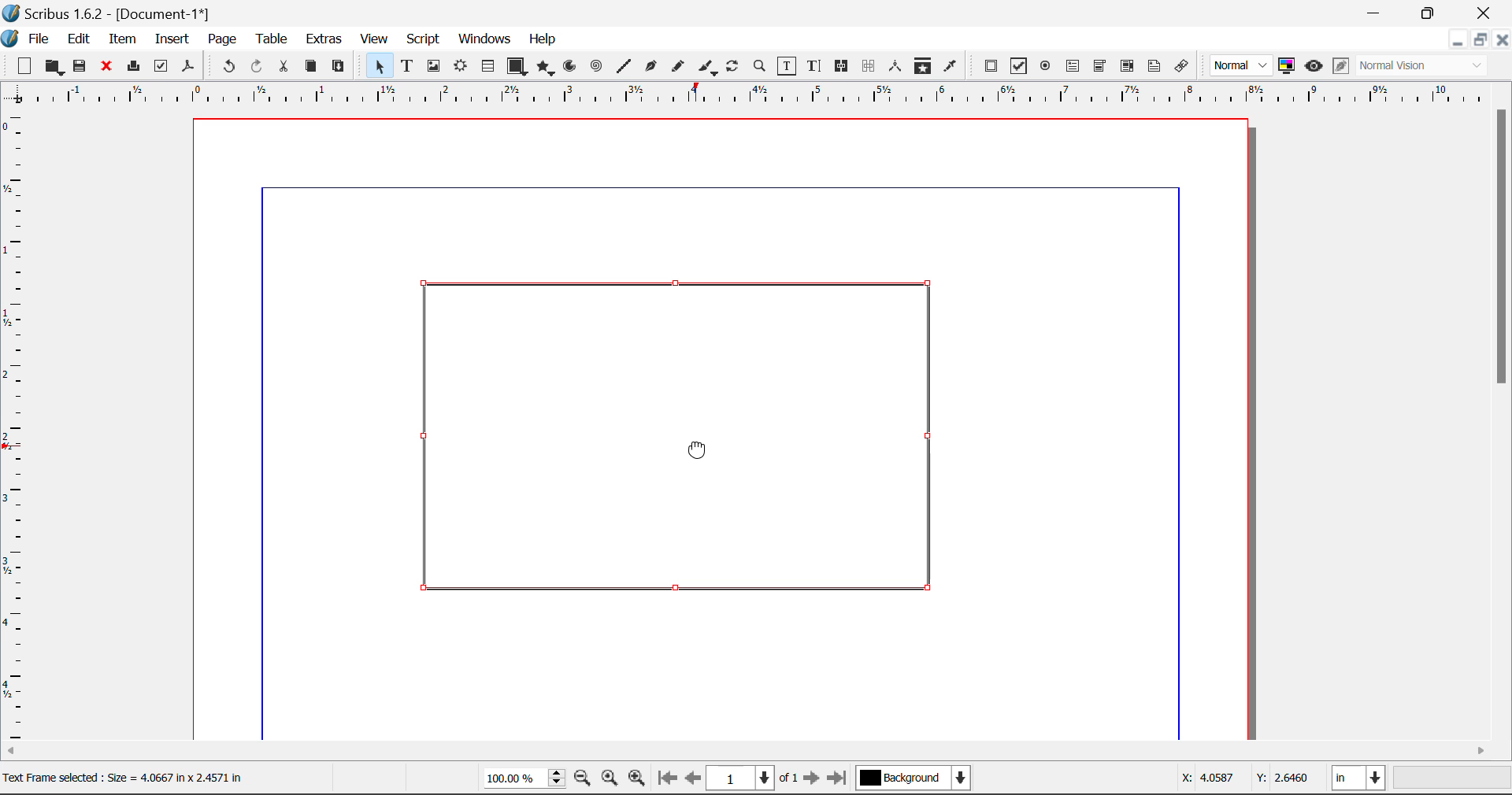  What do you see at coordinates (1247, 780) in the screenshot?
I see `Cursor Coordinates` at bounding box center [1247, 780].